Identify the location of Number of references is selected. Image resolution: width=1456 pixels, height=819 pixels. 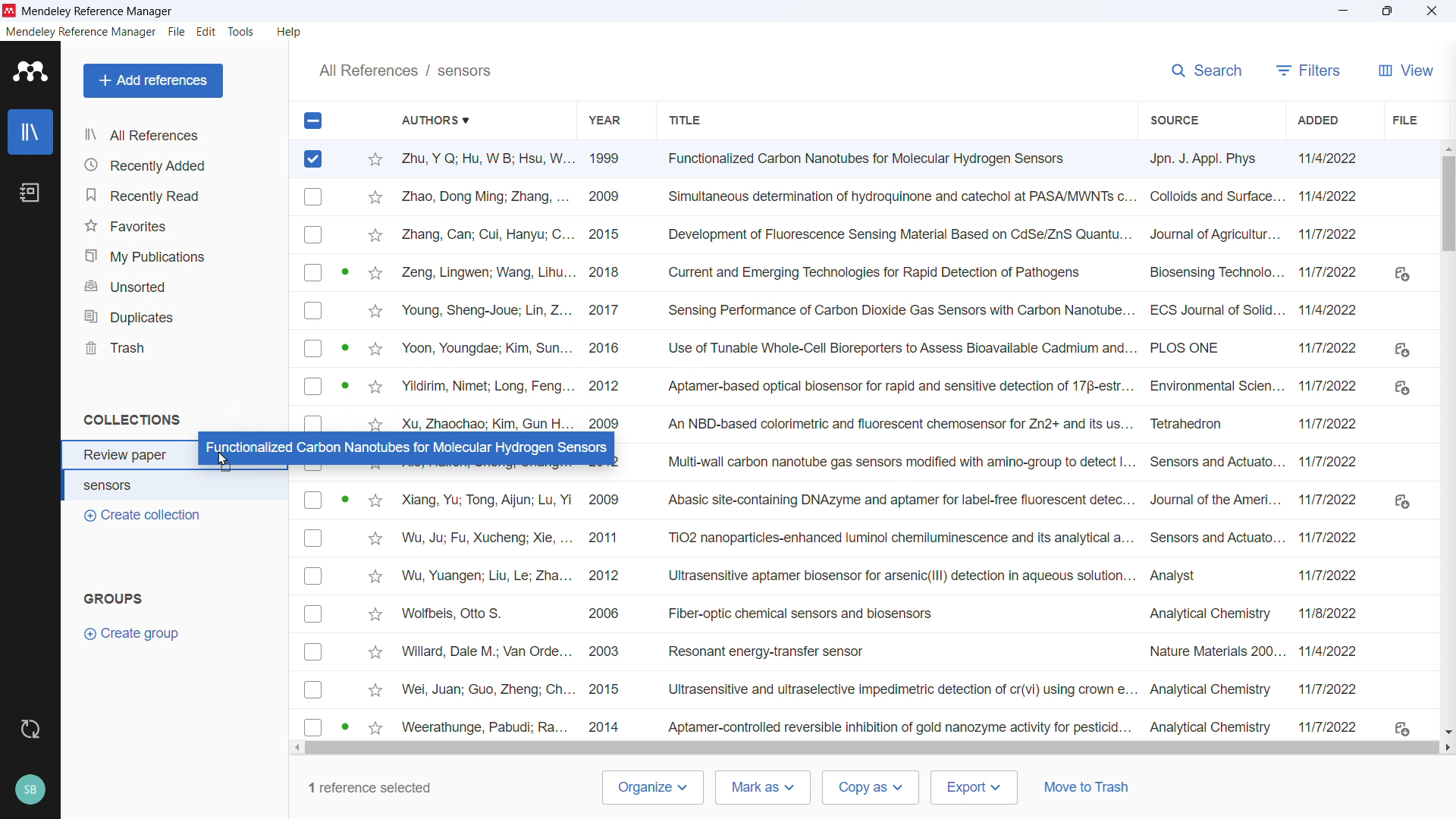
(367, 787).